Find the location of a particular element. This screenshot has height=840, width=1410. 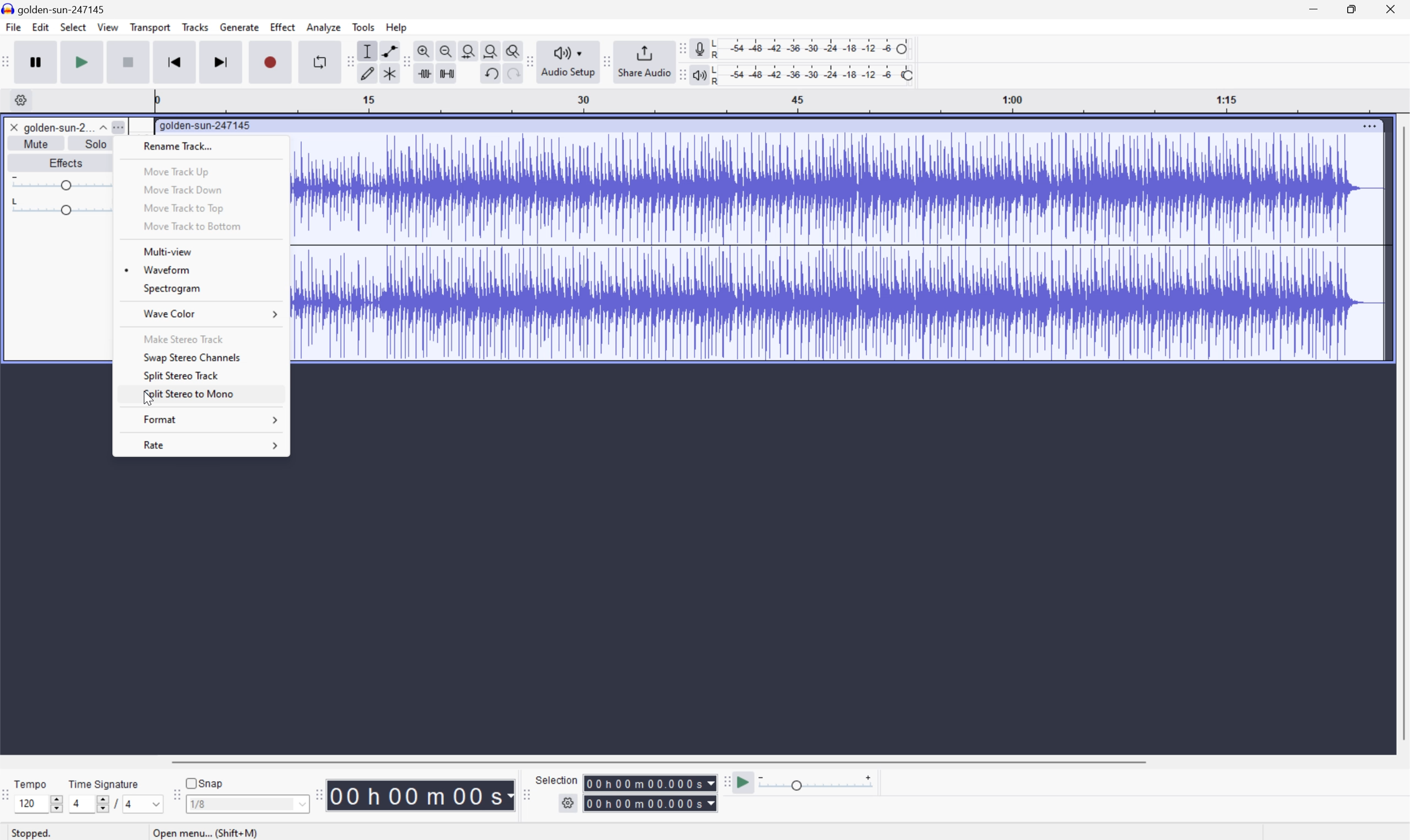

Rate is located at coordinates (152, 447).